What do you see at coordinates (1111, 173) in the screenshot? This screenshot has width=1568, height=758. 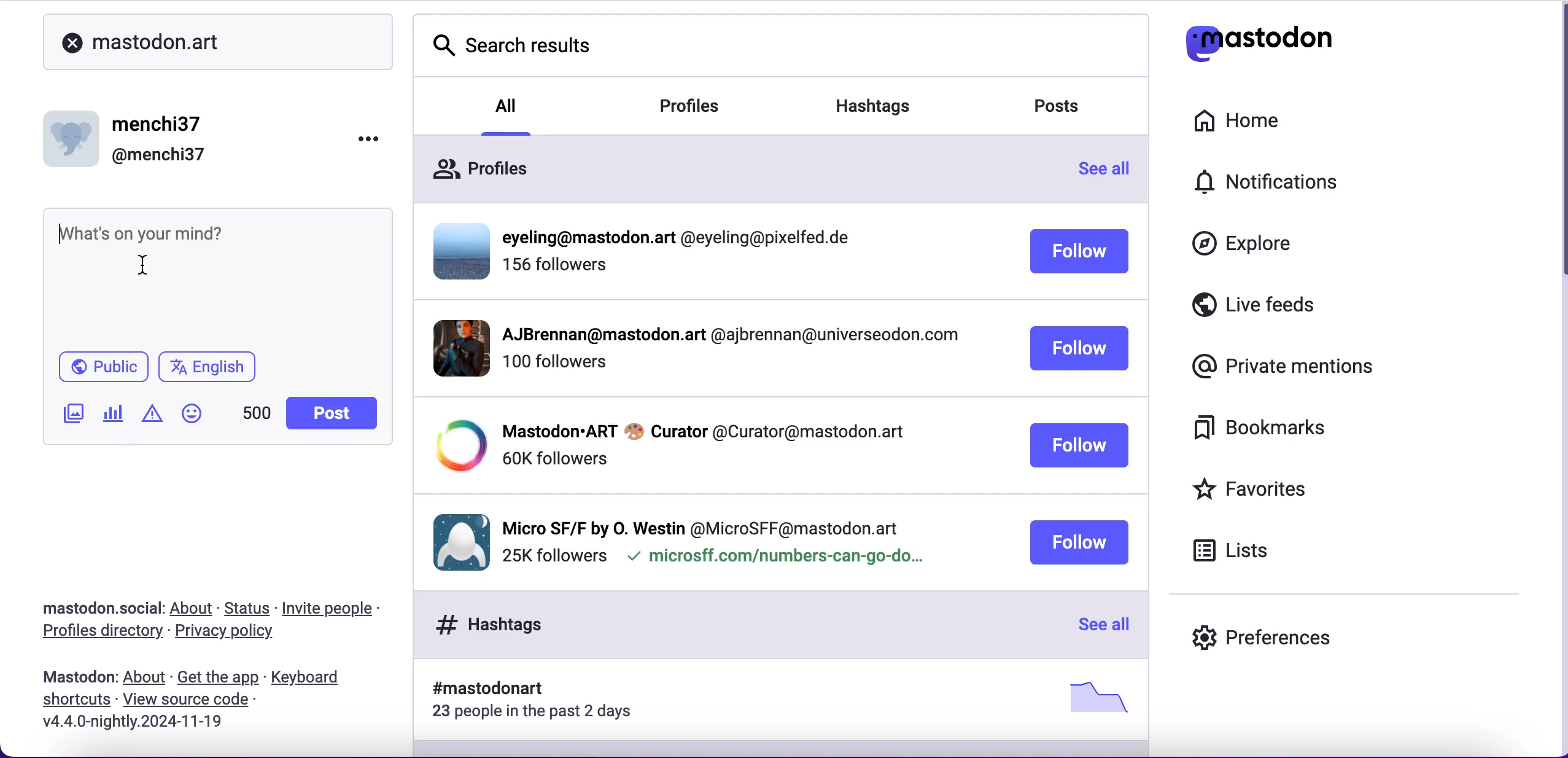 I see `see all` at bounding box center [1111, 173].